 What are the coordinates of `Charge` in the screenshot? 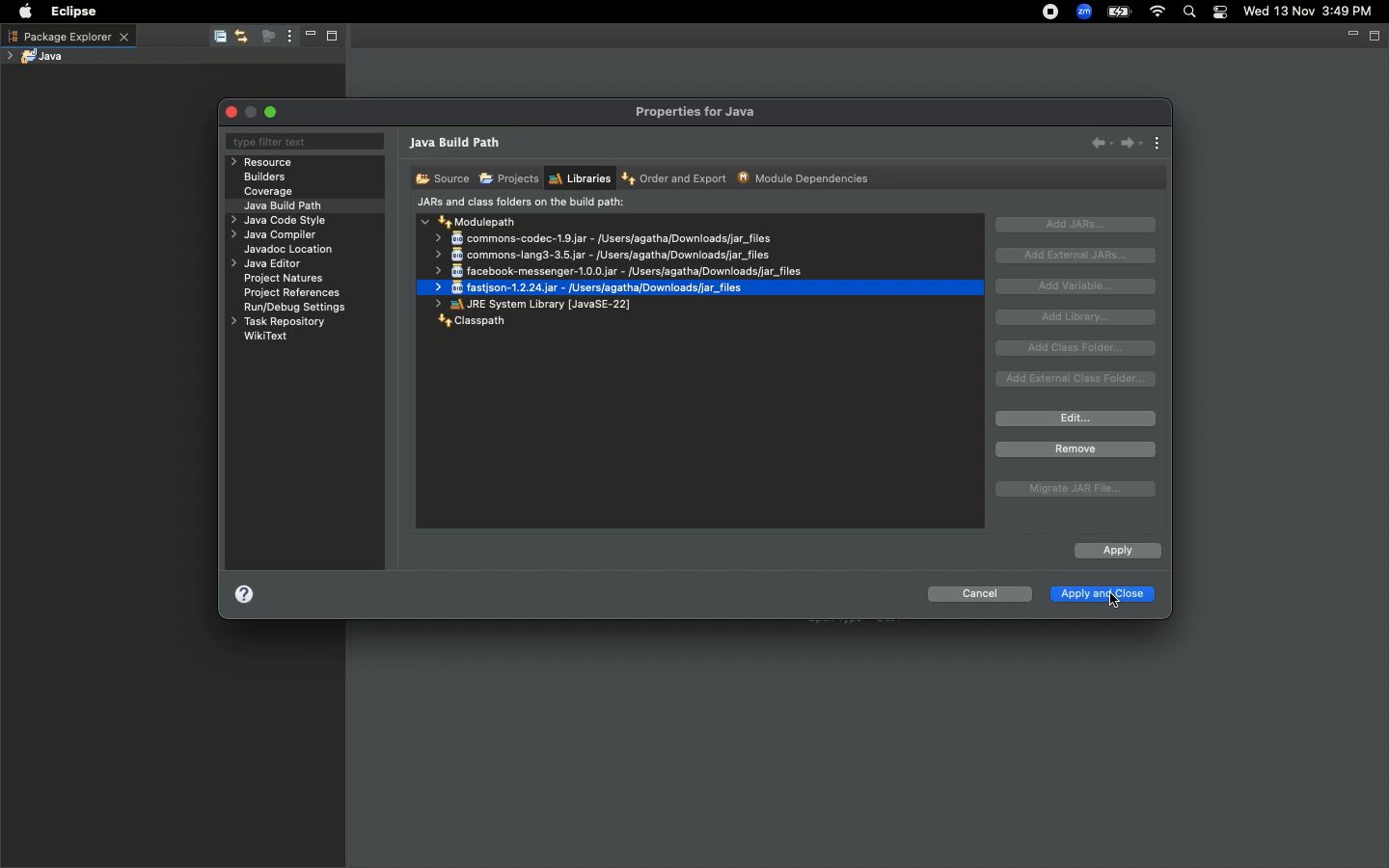 It's located at (1119, 12).